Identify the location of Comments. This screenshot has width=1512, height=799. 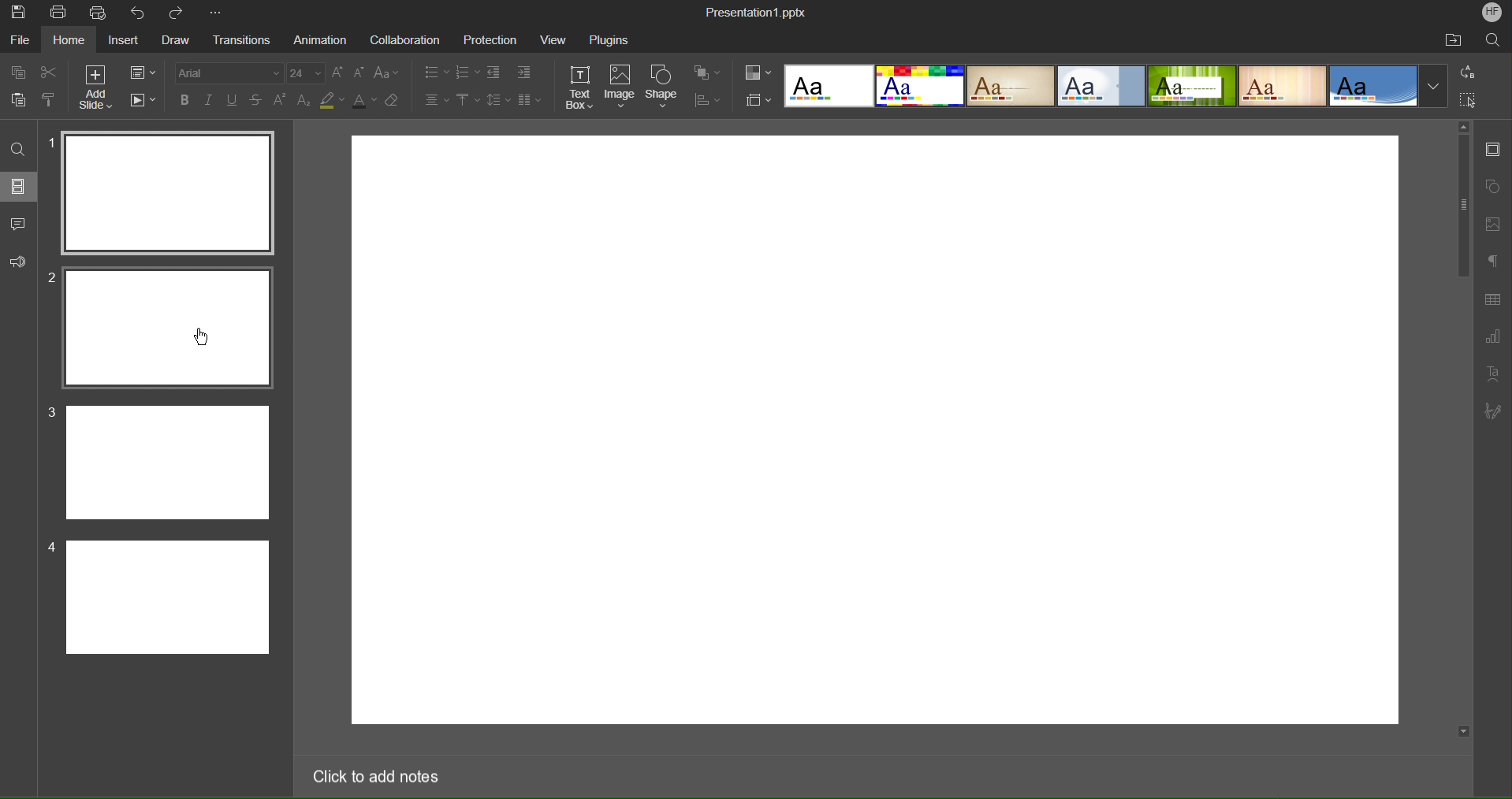
(19, 224).